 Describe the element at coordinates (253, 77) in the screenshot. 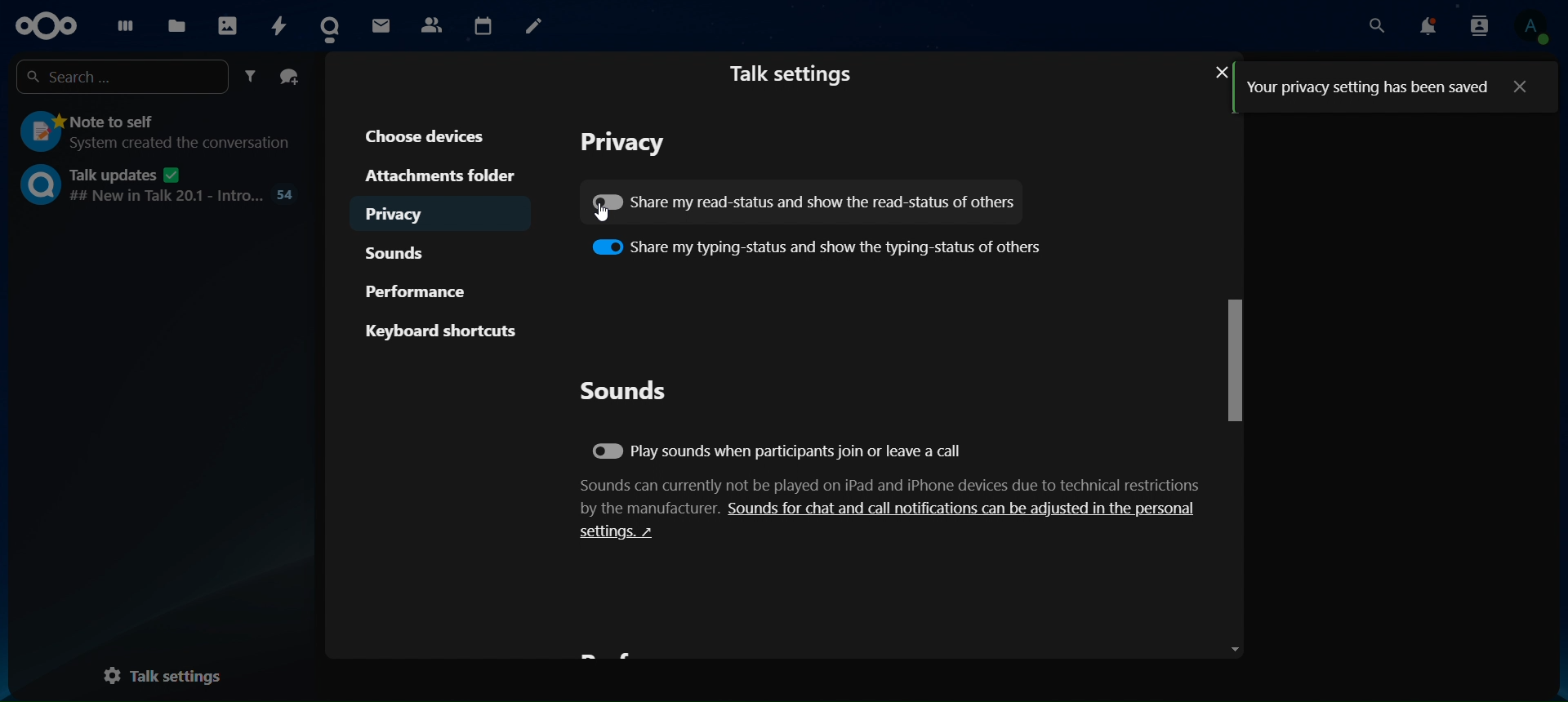

I see `filter` at that location.